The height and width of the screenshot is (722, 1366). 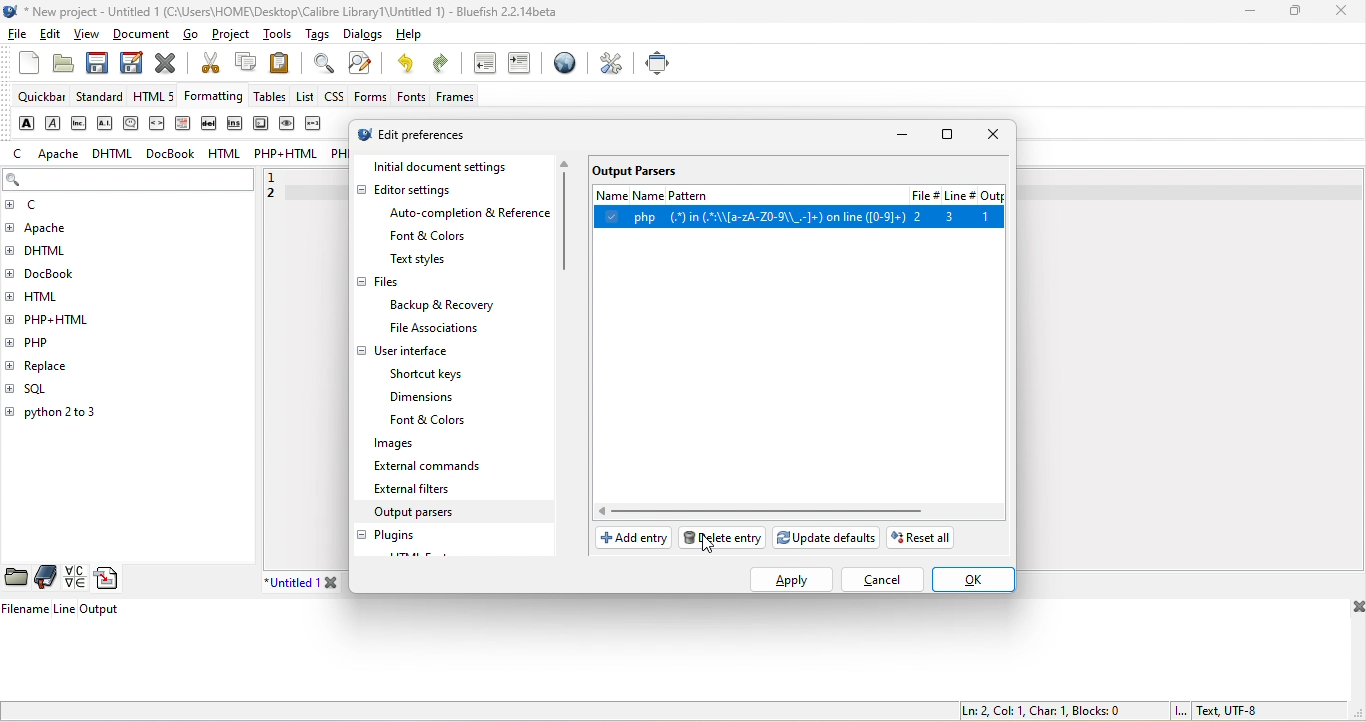 What do you see at coordinates (260, 124) in the screenshot?
I see `keyboard` at bounding box center [260, 124].